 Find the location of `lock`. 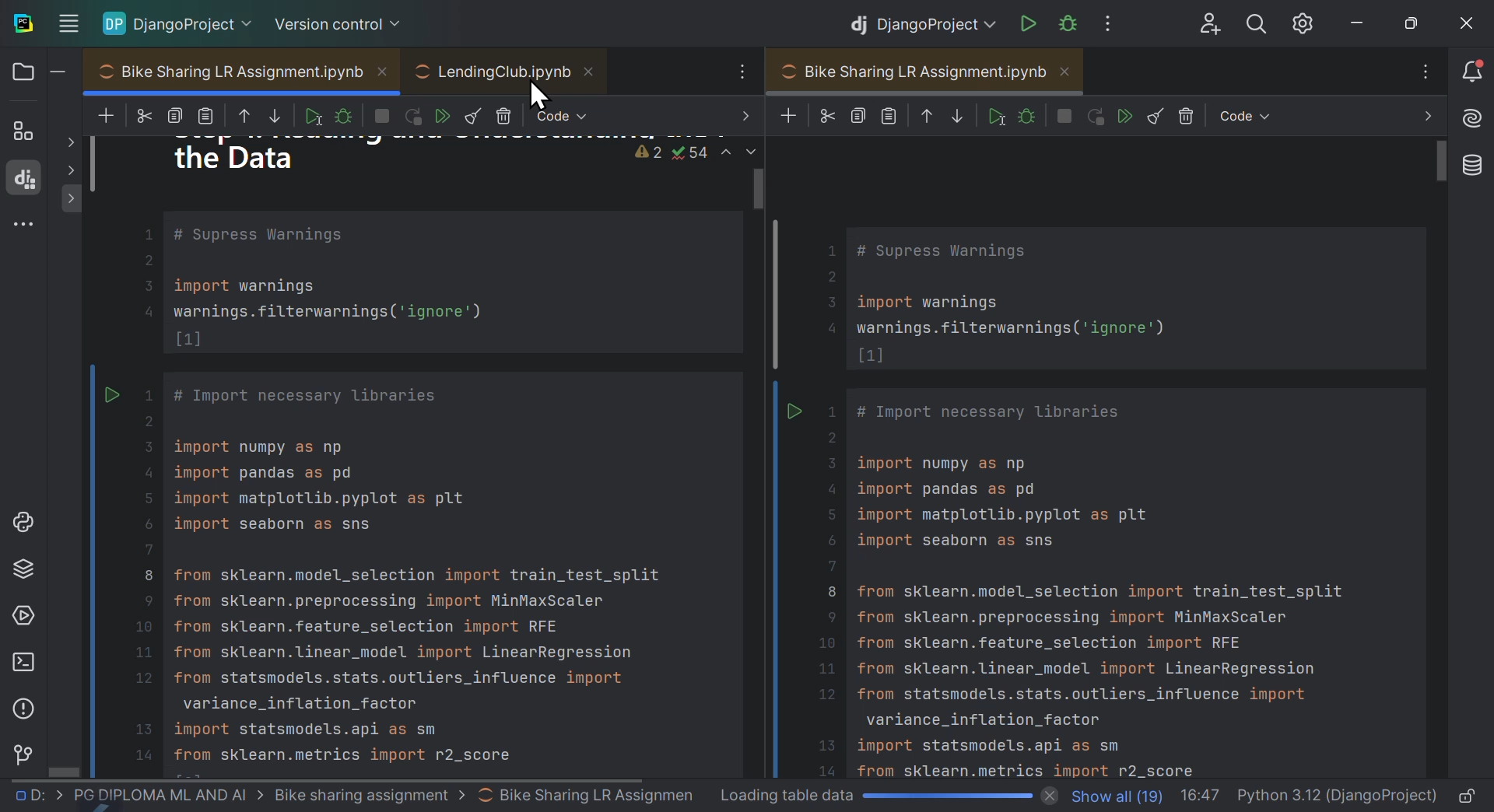

lock is located at coordinates (1468, 795).